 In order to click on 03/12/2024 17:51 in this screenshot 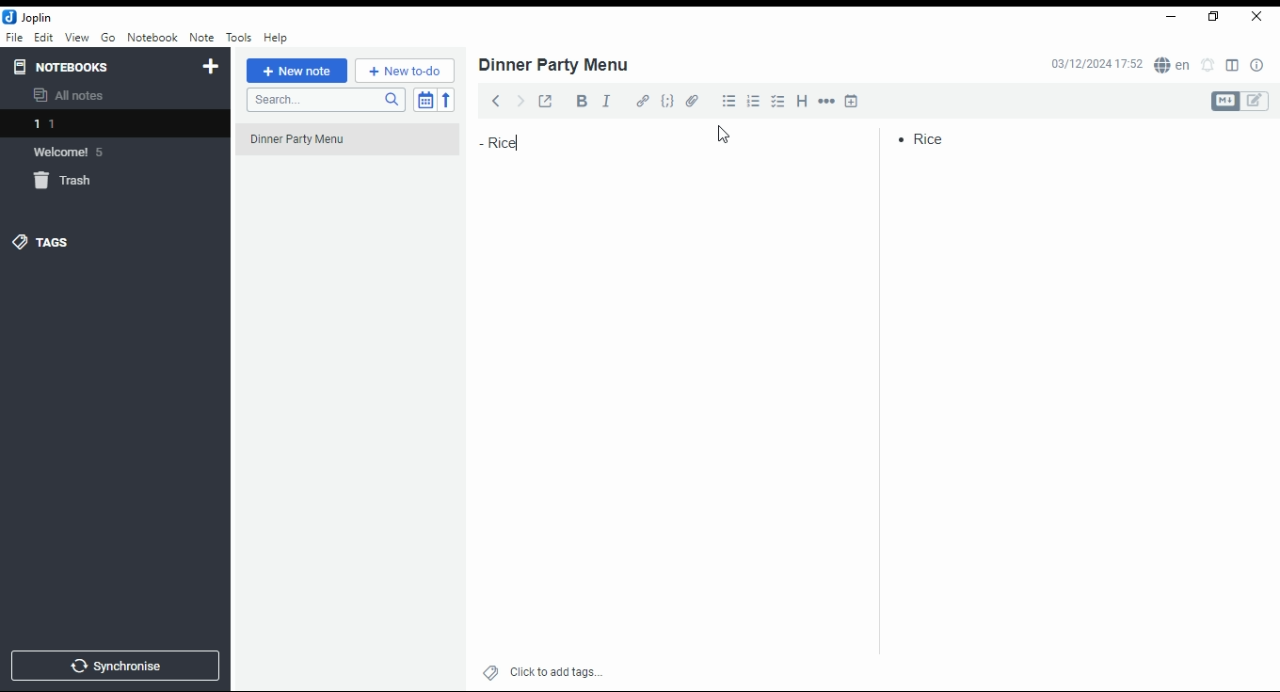, I will do `click(1094, 65)`.